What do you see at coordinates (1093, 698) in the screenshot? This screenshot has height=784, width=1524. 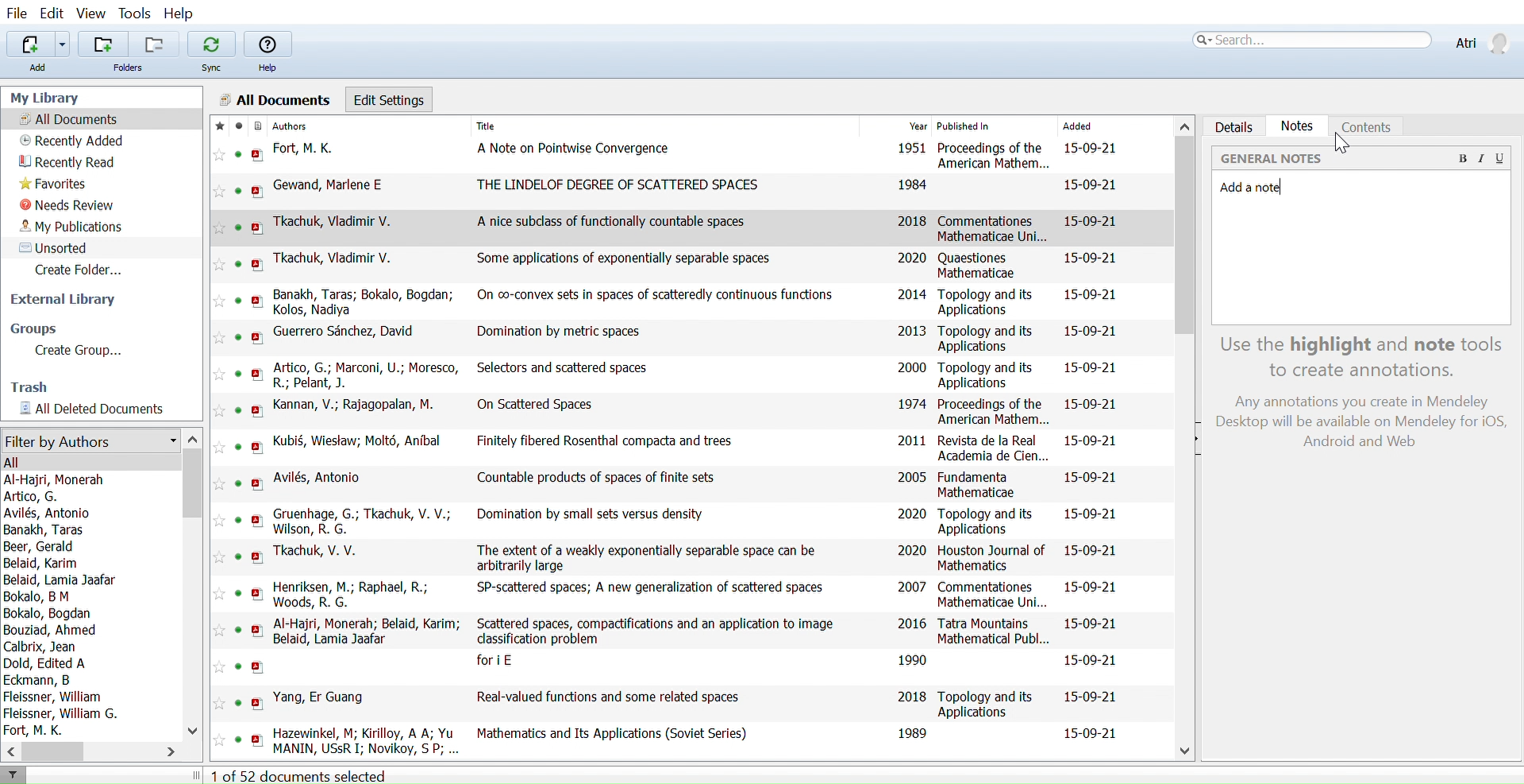 I see `15-09-21` at bounding box center [1093, 698].